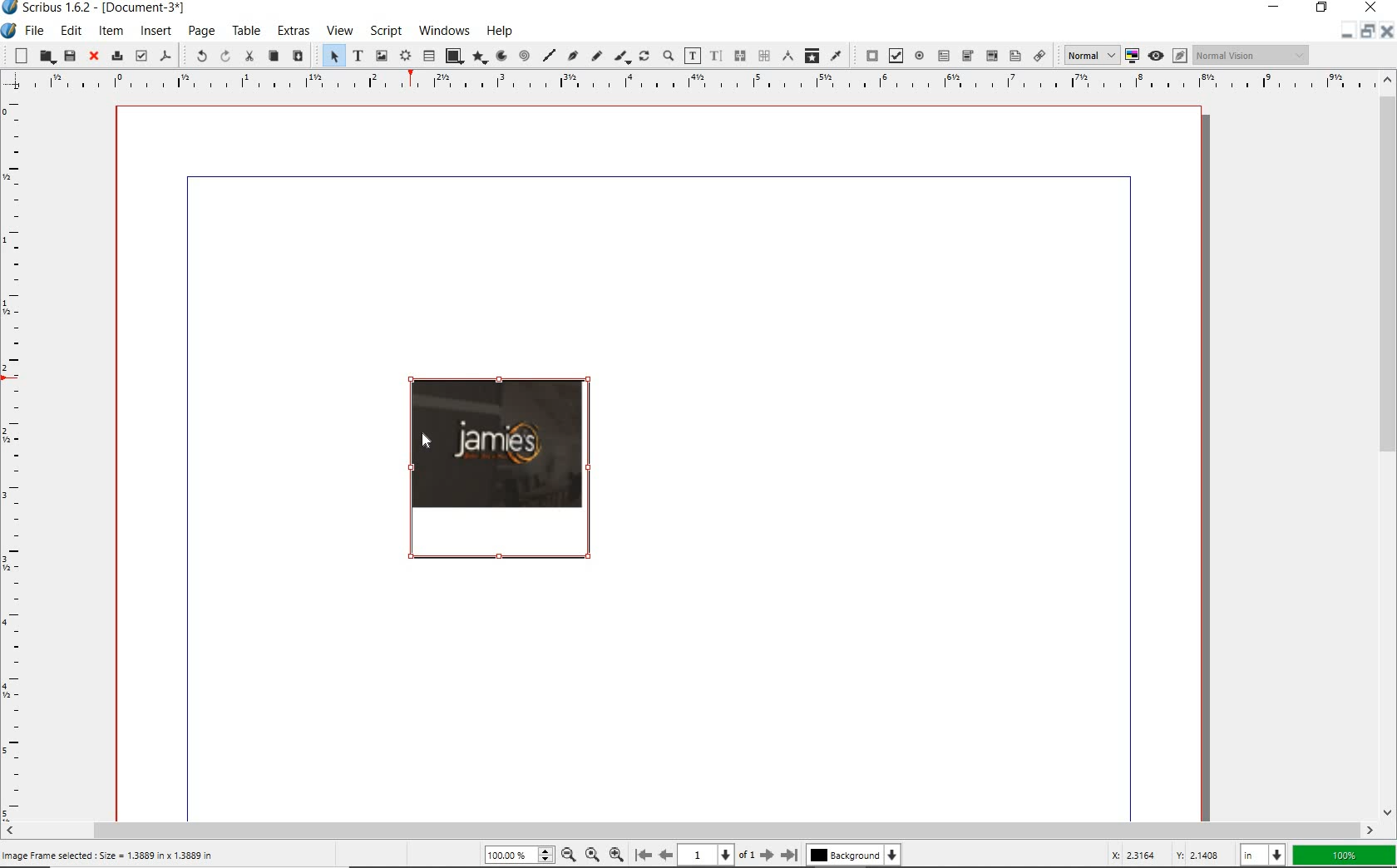 The height and width of the screenshot is (868, 1397). What do you see at coordinates (405, 57) in the screenshot?
I see `render frame` at bounding box center [405, 57].